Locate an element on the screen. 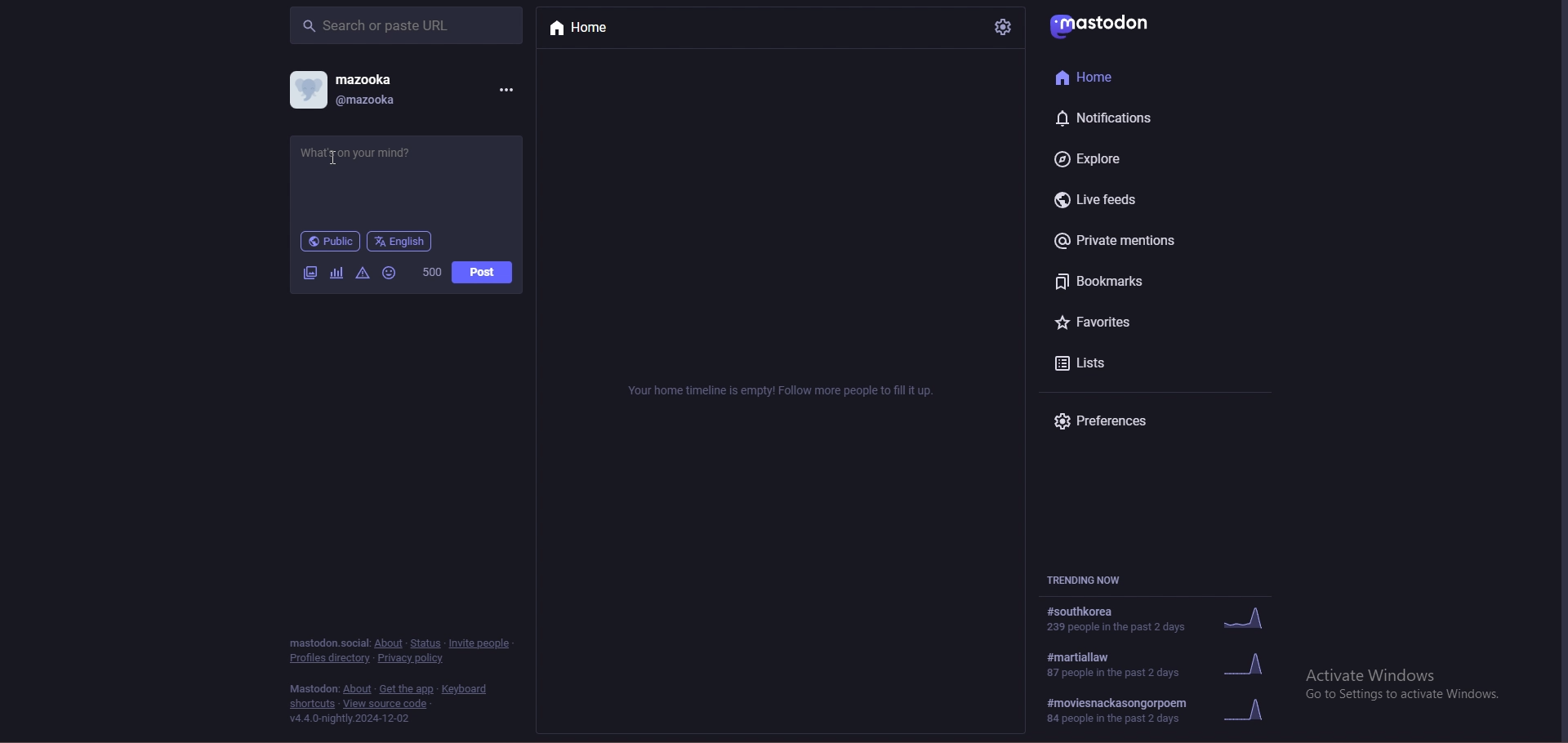 This screenshot has height=743, width=1568. keyboard is located at coordinates (467, 689).